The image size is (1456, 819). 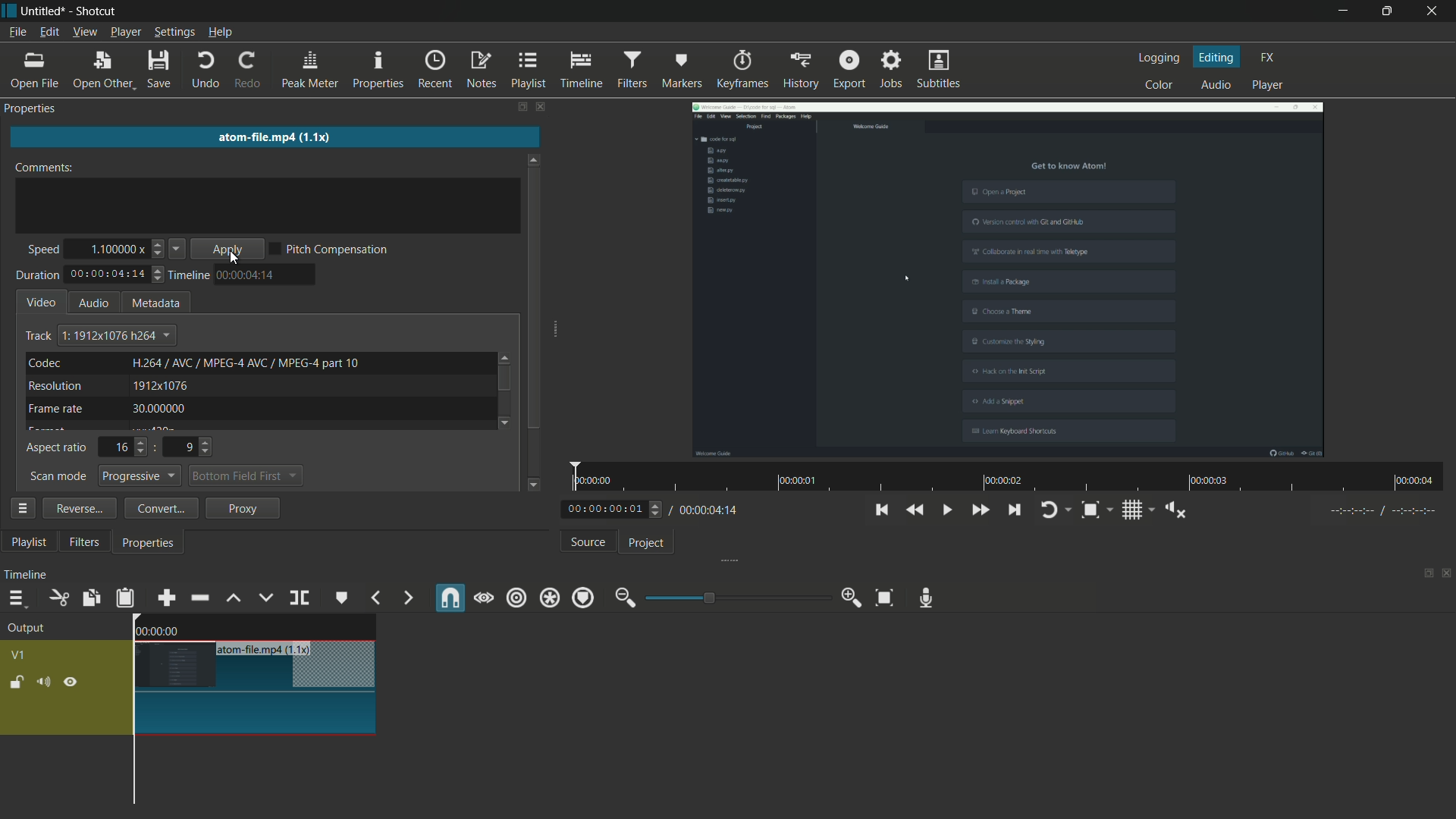 I want to click on toggle play or pause, so click(x=945, y=510).